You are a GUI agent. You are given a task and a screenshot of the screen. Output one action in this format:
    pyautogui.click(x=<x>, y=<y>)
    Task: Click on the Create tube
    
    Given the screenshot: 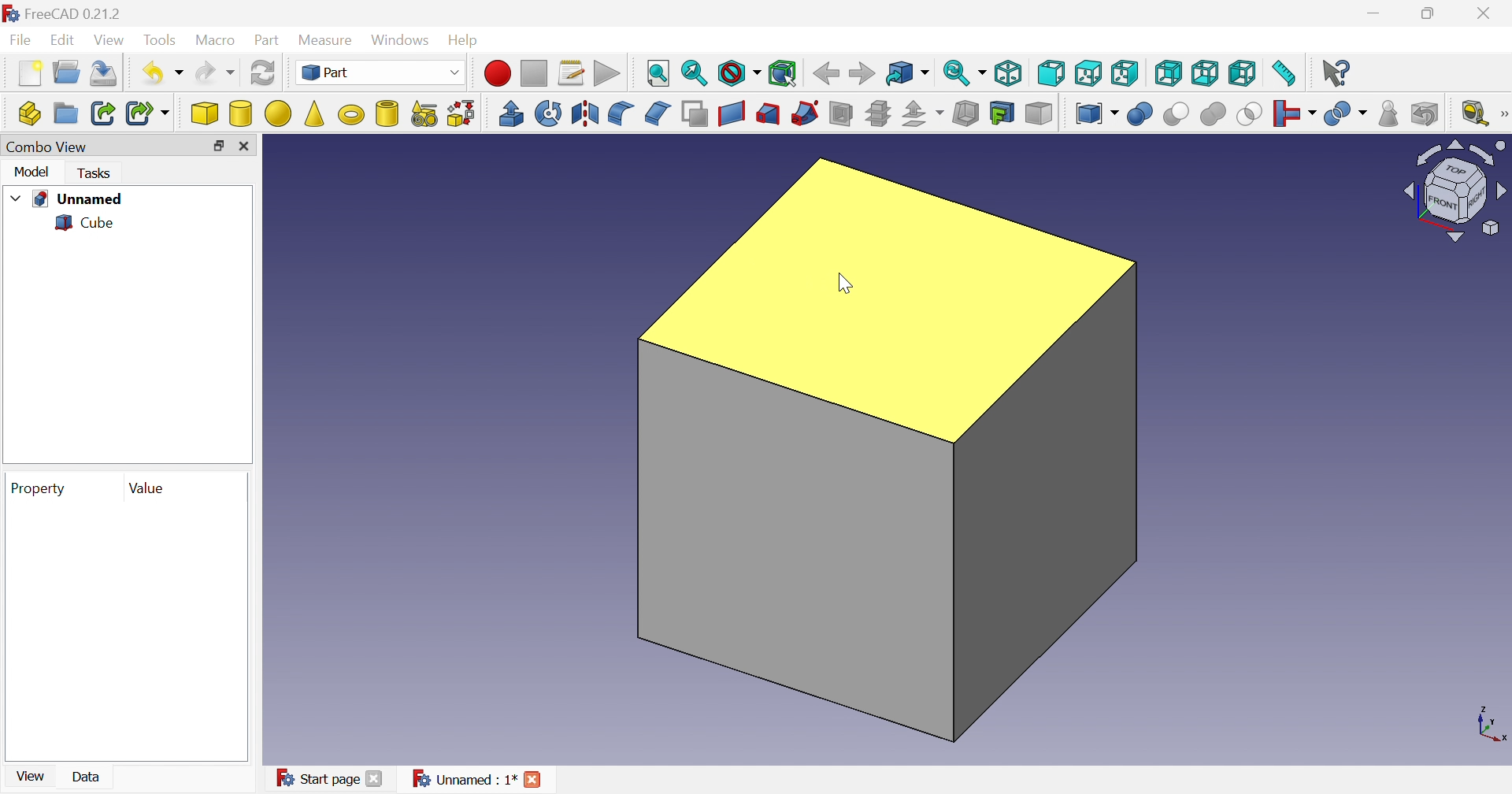 What is the action you would take?
    pyautogui.click(x=388, y=114)
    